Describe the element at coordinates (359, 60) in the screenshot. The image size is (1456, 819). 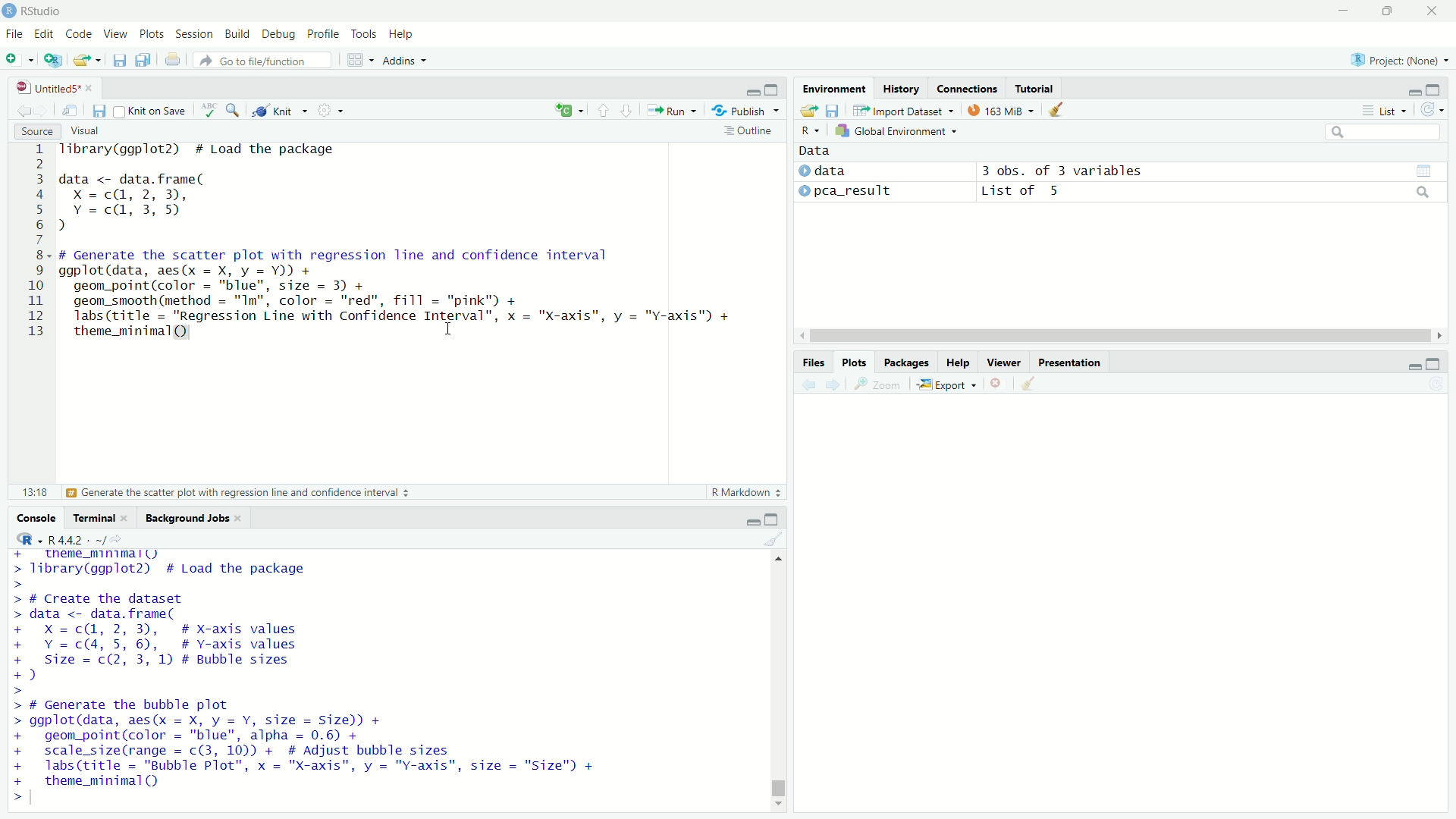
I see `Workspace panes` at that location.